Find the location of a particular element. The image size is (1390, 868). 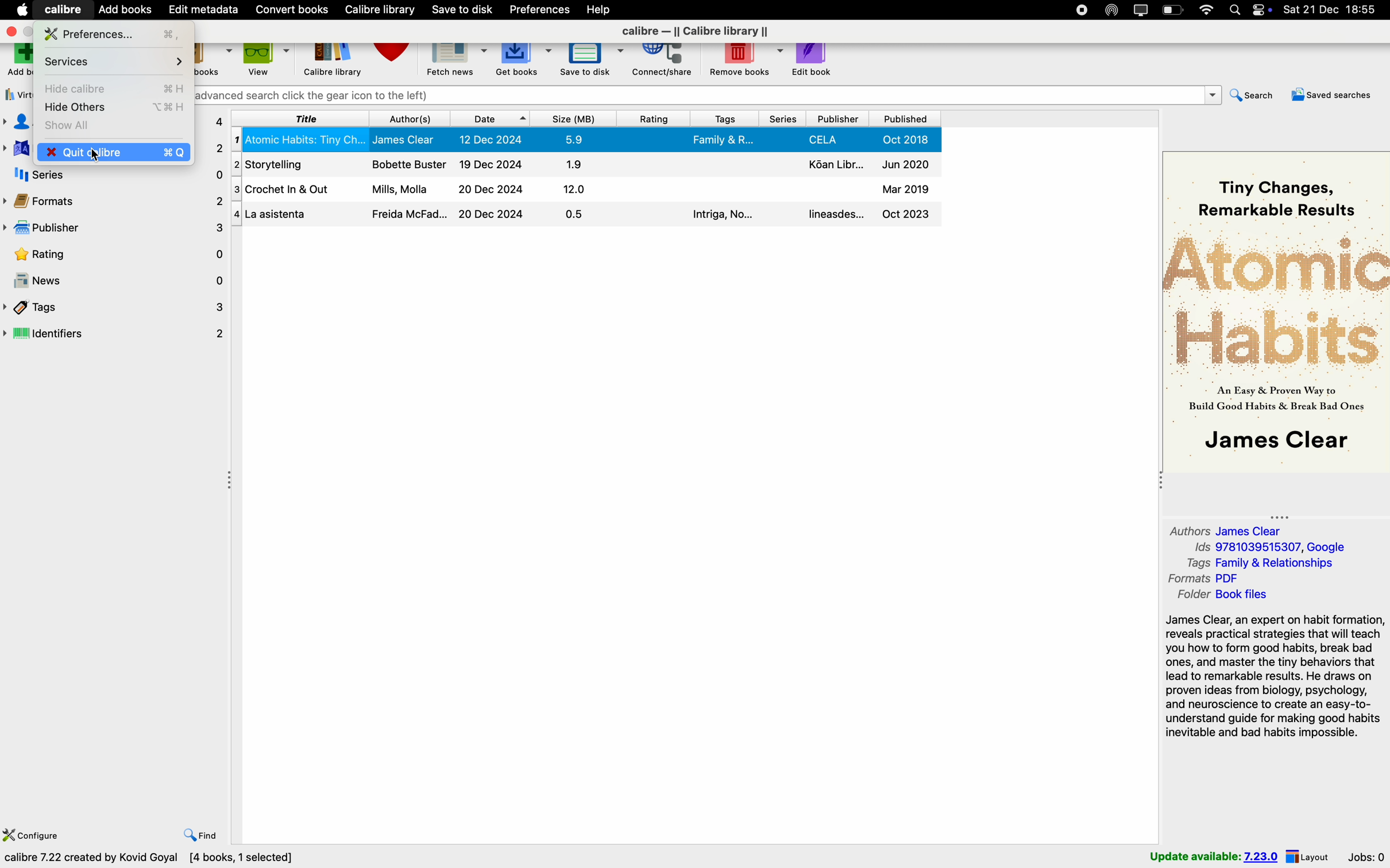

size is located at coordinates (575, 119).